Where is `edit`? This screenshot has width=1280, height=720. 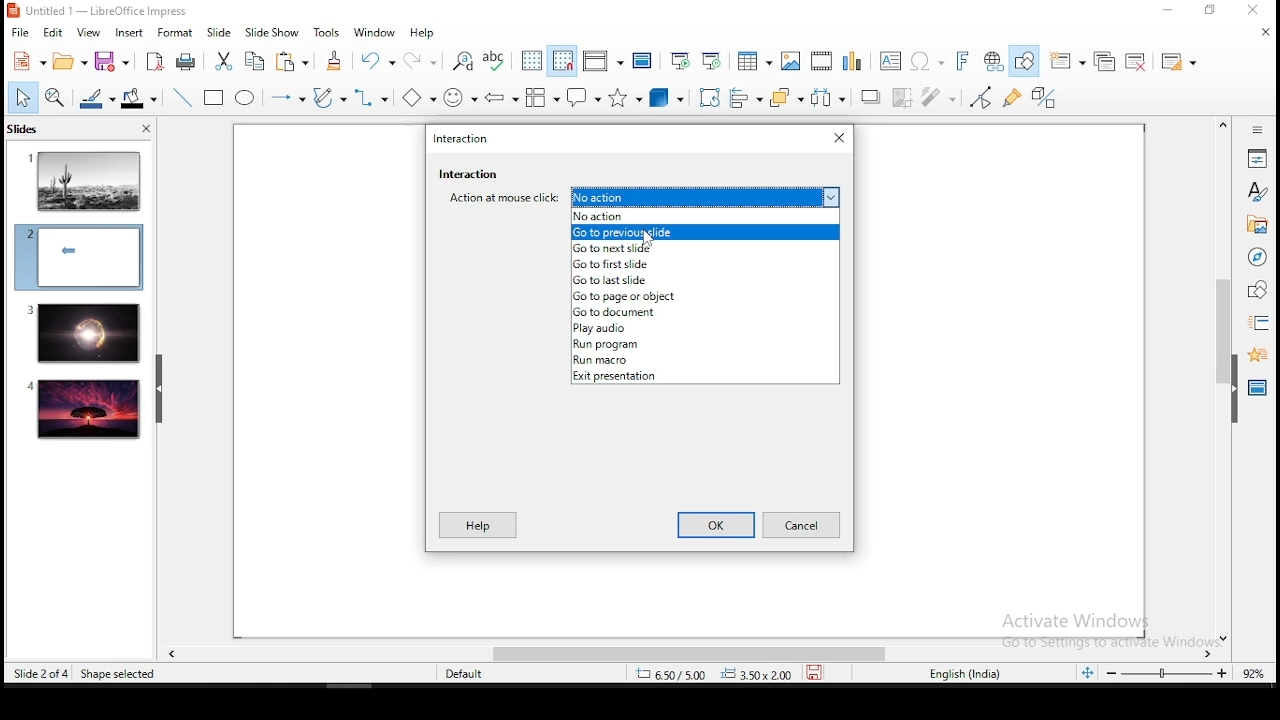 edit is located at coordinates (53, 33).